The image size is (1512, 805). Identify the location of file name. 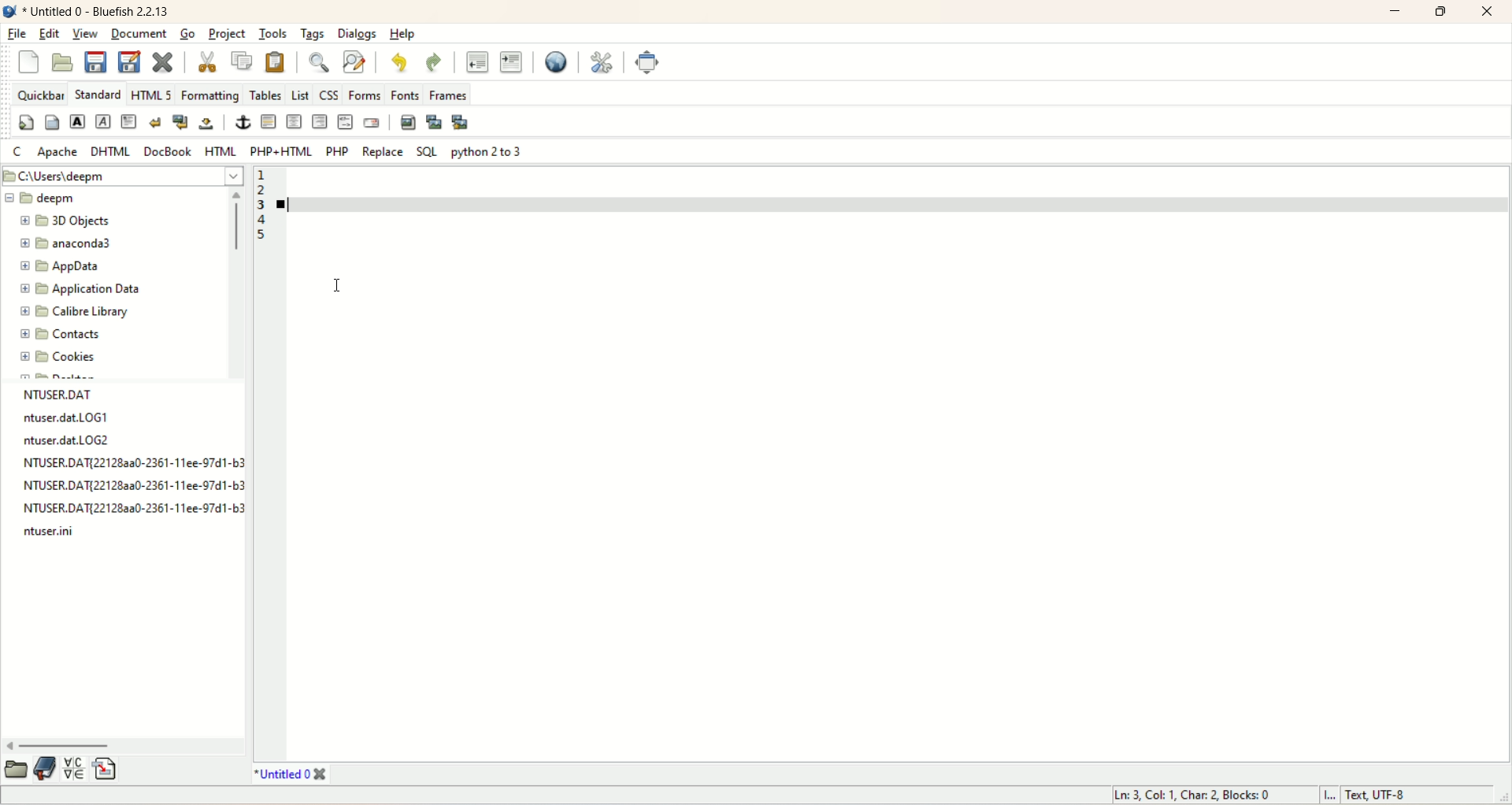
(80, 441).